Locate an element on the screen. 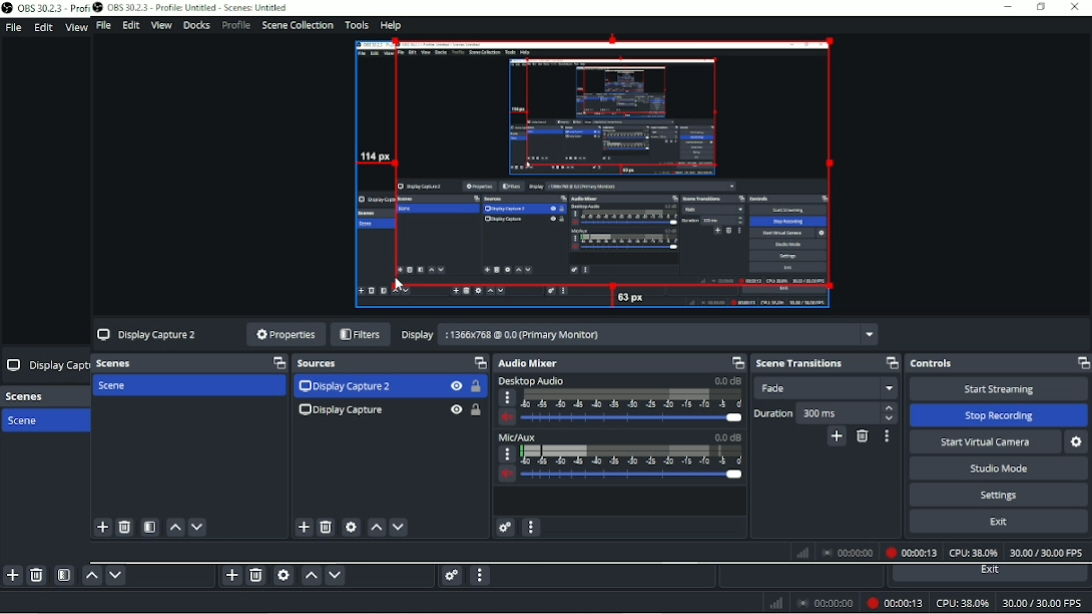 The image size is (1092, 614). Audio mixer menu is located at coordinates (483, 576).